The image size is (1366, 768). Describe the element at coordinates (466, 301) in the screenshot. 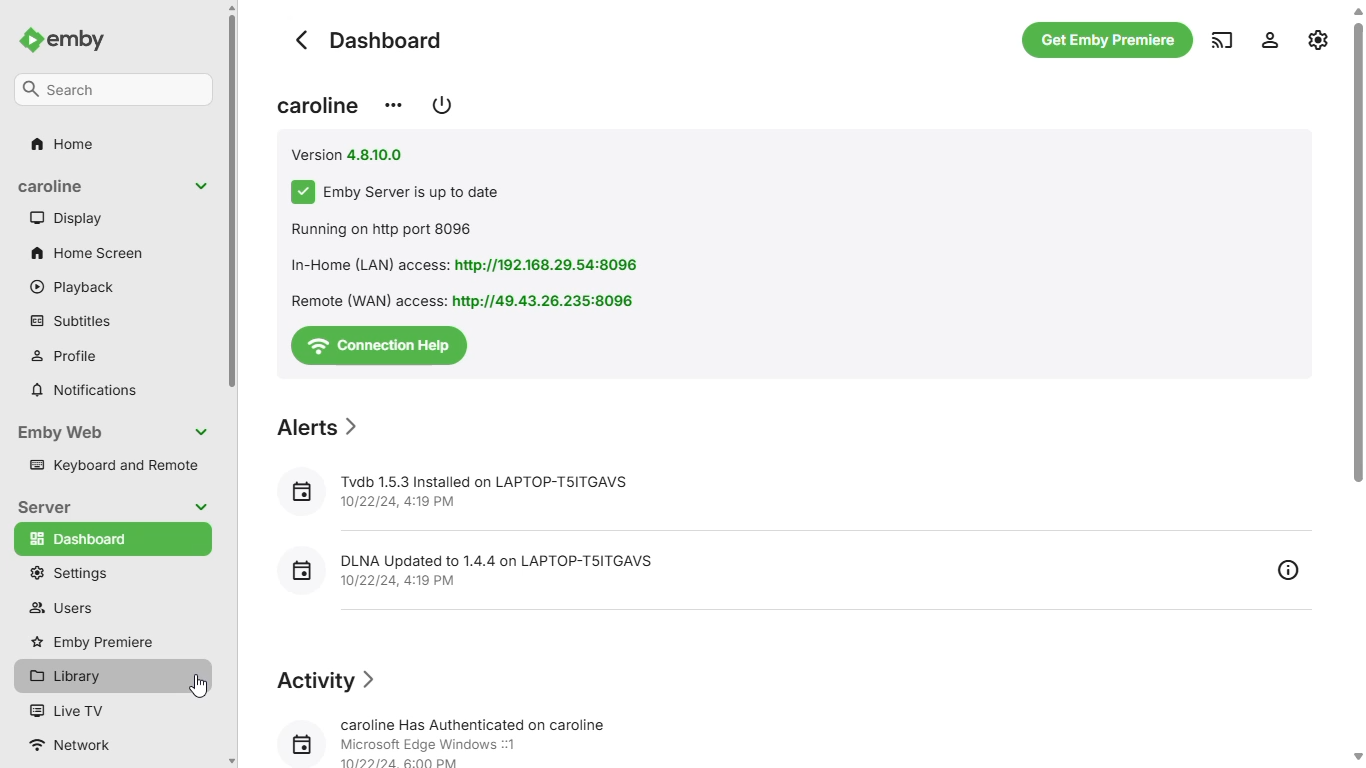

I see `Remote (WAN) access: http://49.43.26.235:8096` at that location.